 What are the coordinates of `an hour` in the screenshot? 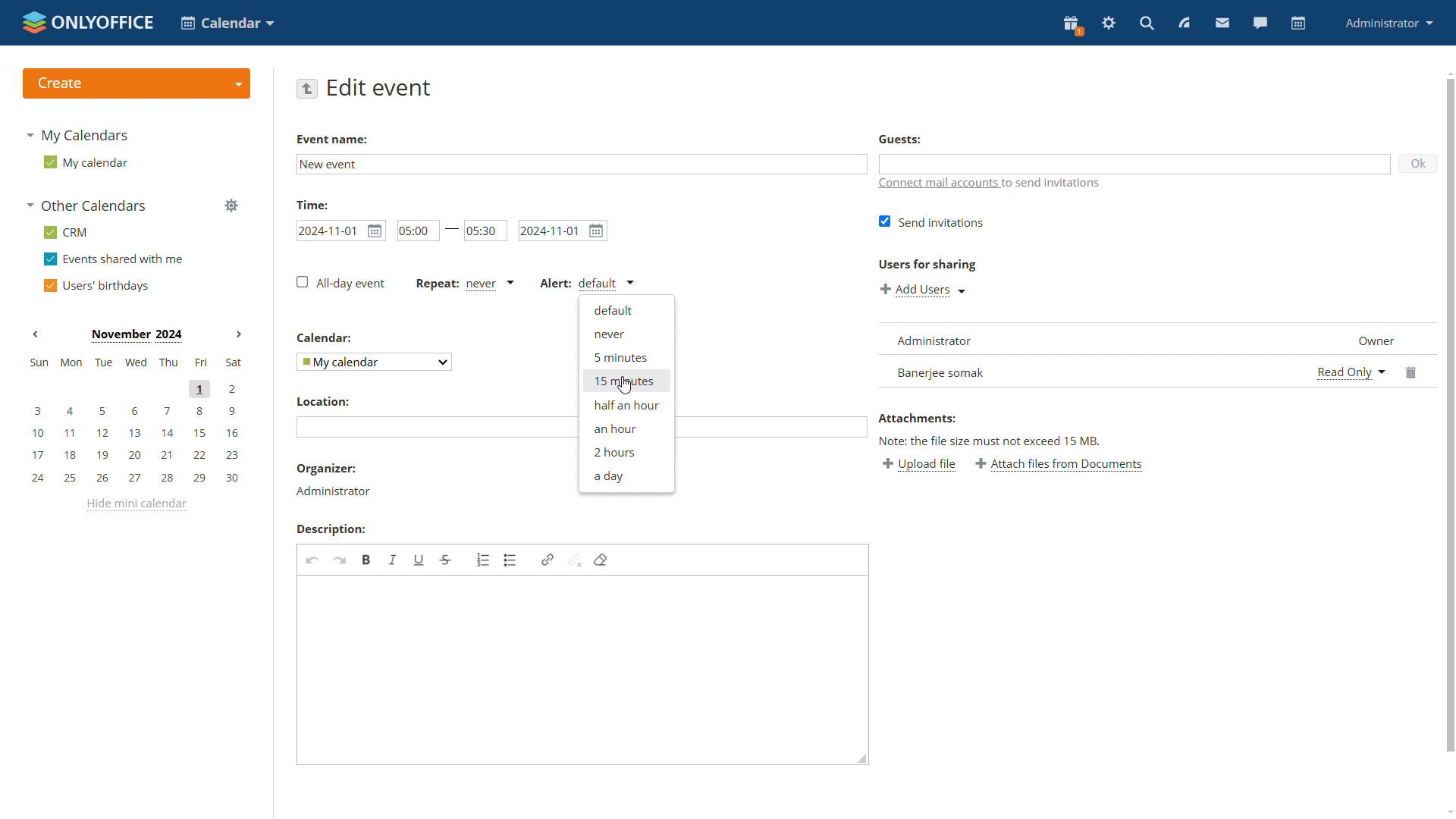 It's located at (625, 427).